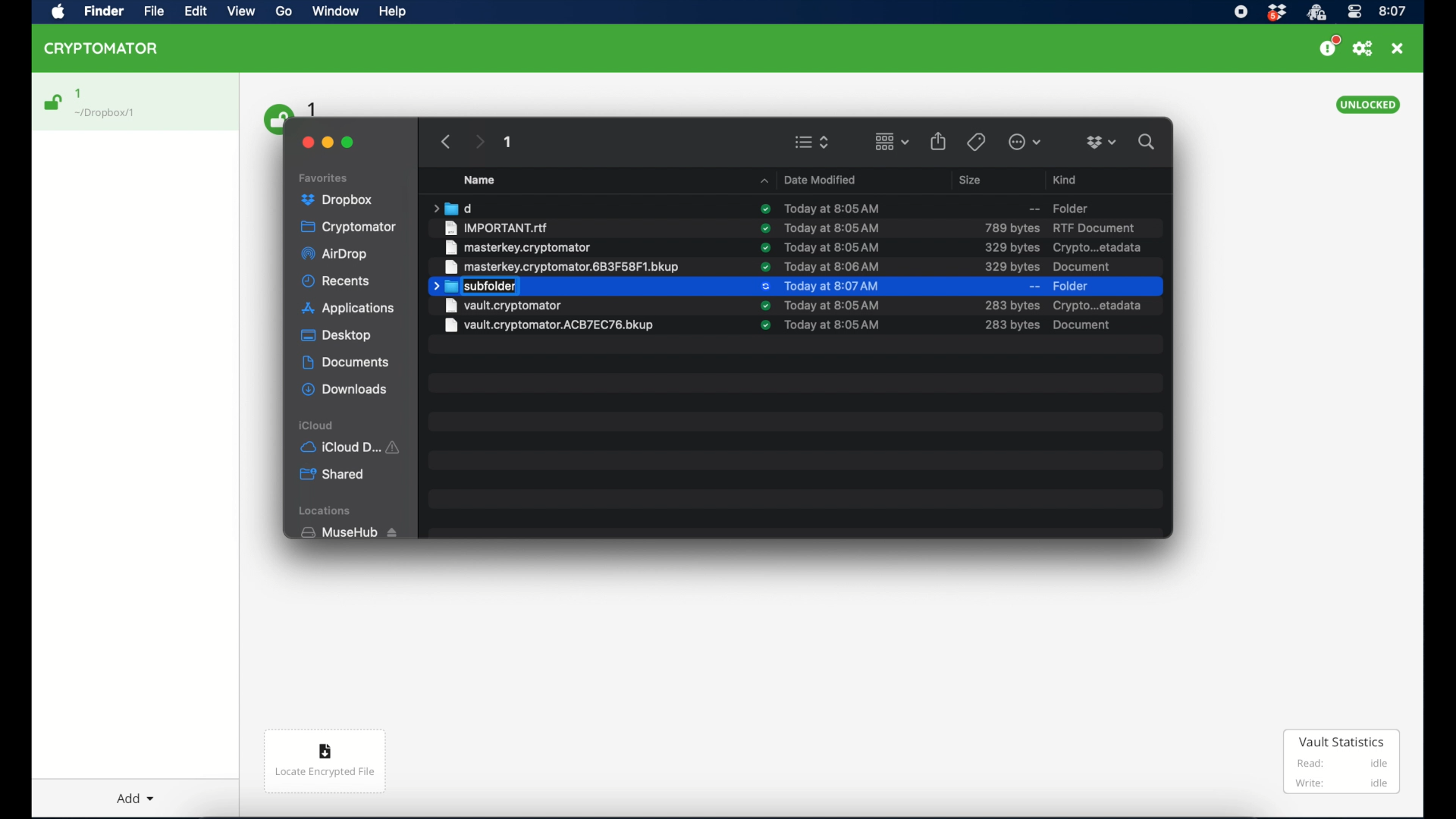 Image resolution: width=1456 pixels, height=819 pixels. Describe the element at coordinates (345, 362) in the screenshot. I see `documents` at that location.